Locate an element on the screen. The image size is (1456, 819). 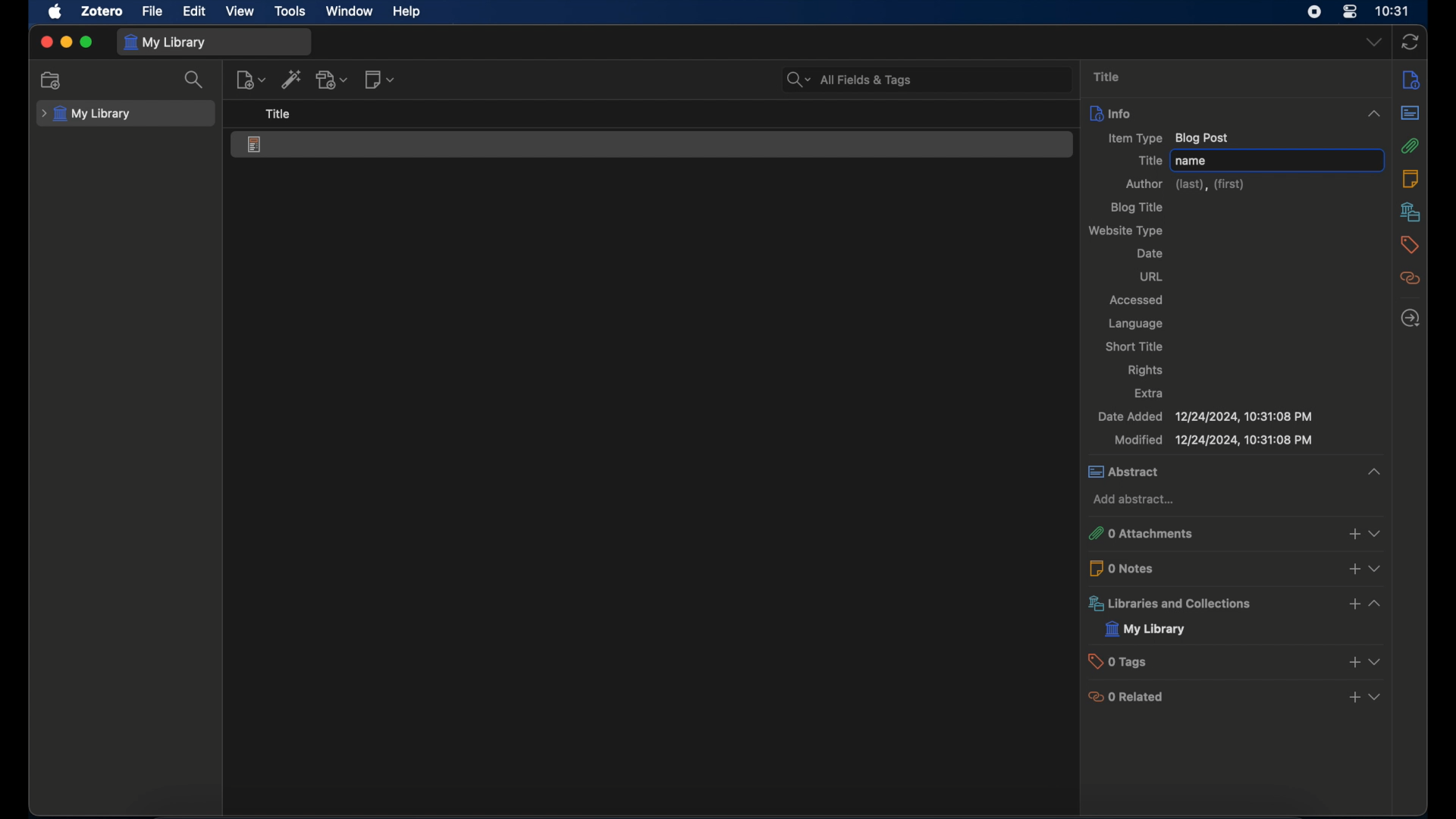
0 attachments is located at coordinates (1232, 534).